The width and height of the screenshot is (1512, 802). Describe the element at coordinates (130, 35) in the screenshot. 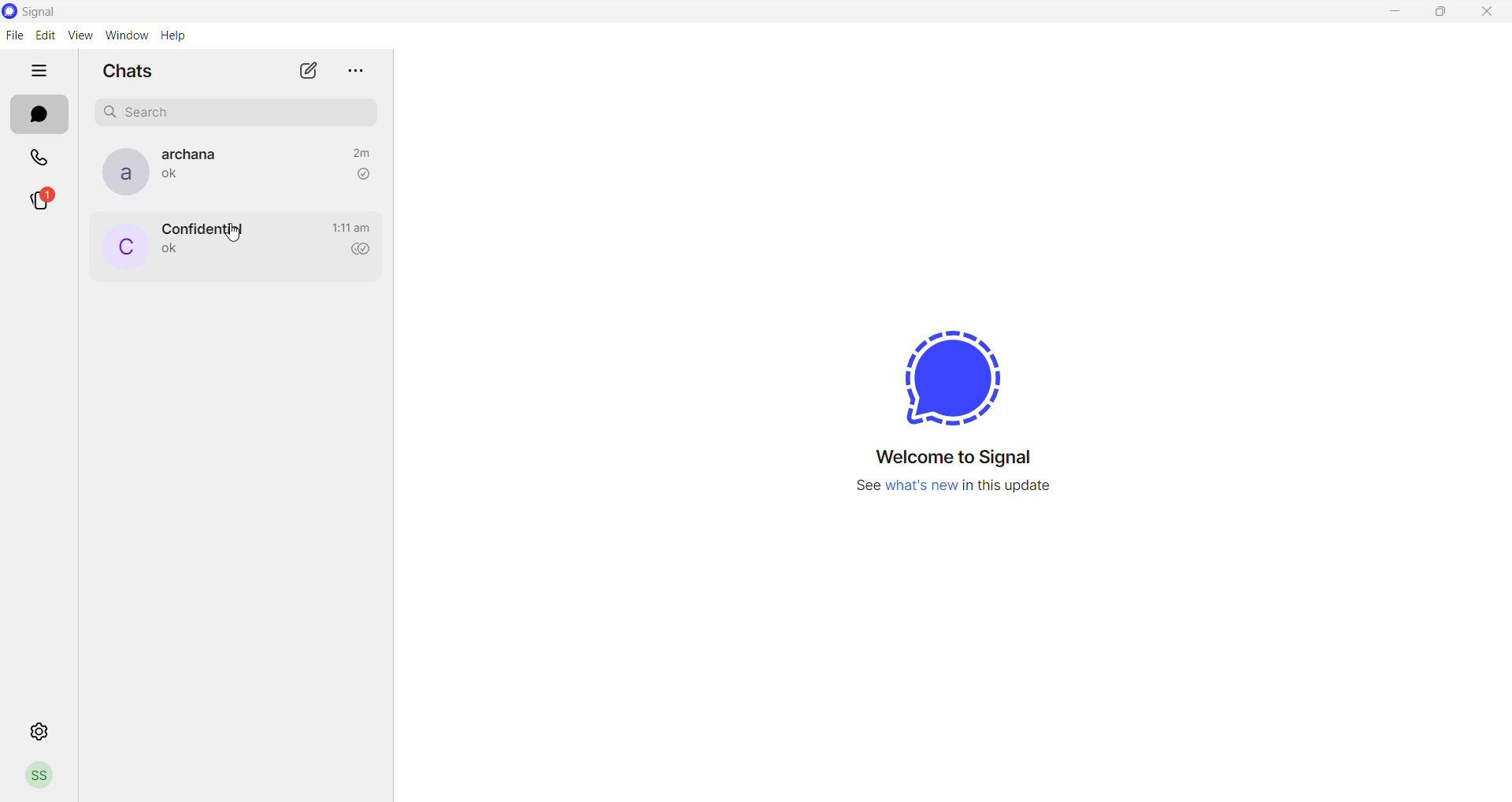

I see `window` at that location.